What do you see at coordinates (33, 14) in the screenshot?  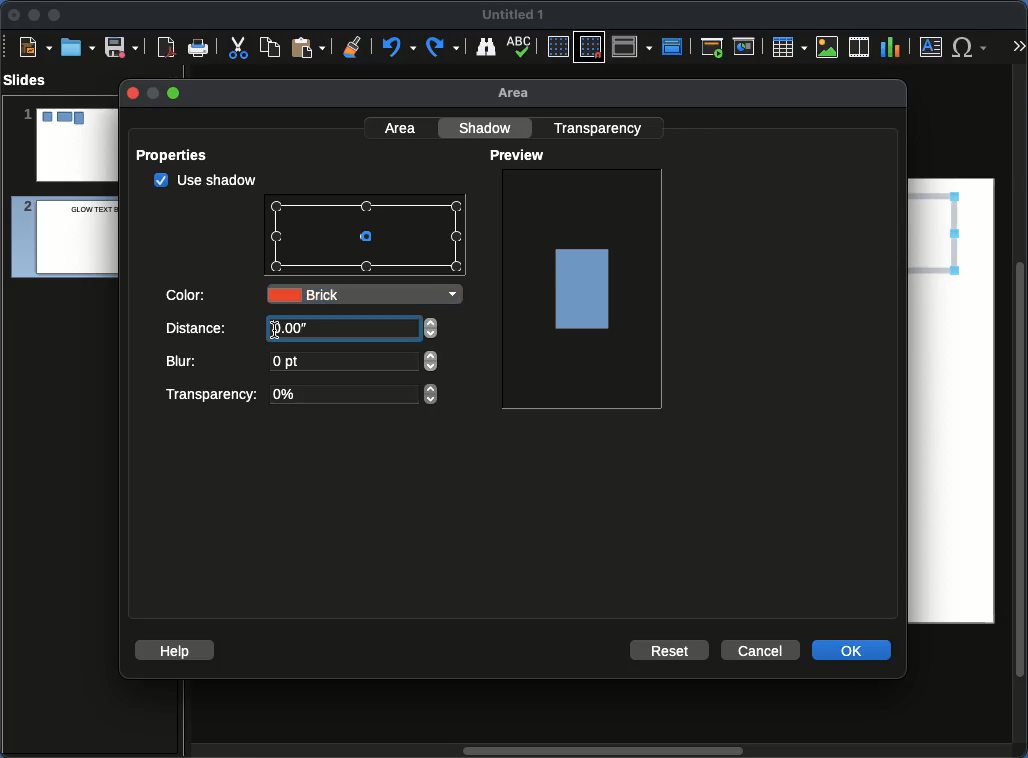 I see `Minimize` at bounding box center [33, 14].